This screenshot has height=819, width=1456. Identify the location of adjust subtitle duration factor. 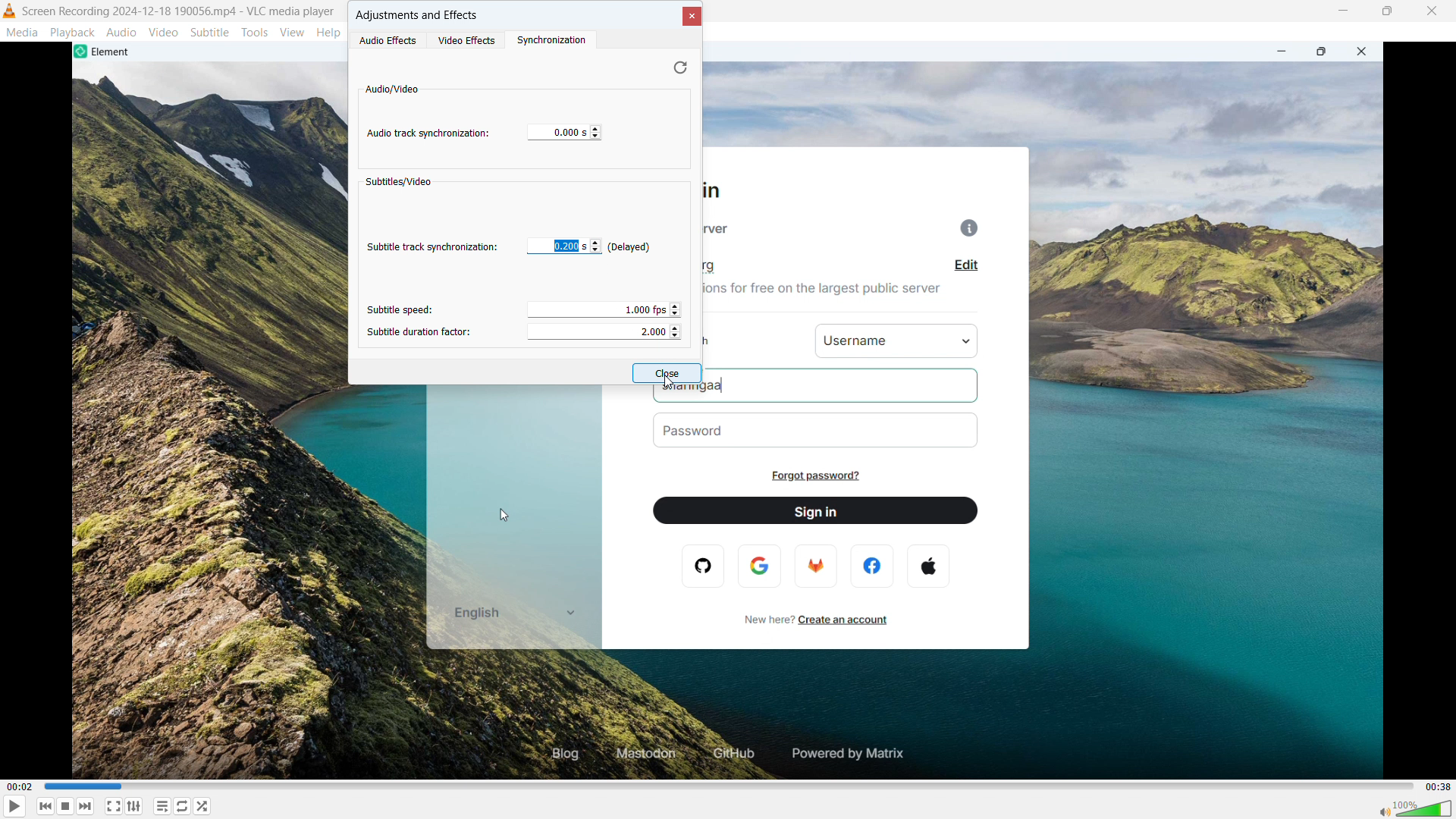
(602, 332).